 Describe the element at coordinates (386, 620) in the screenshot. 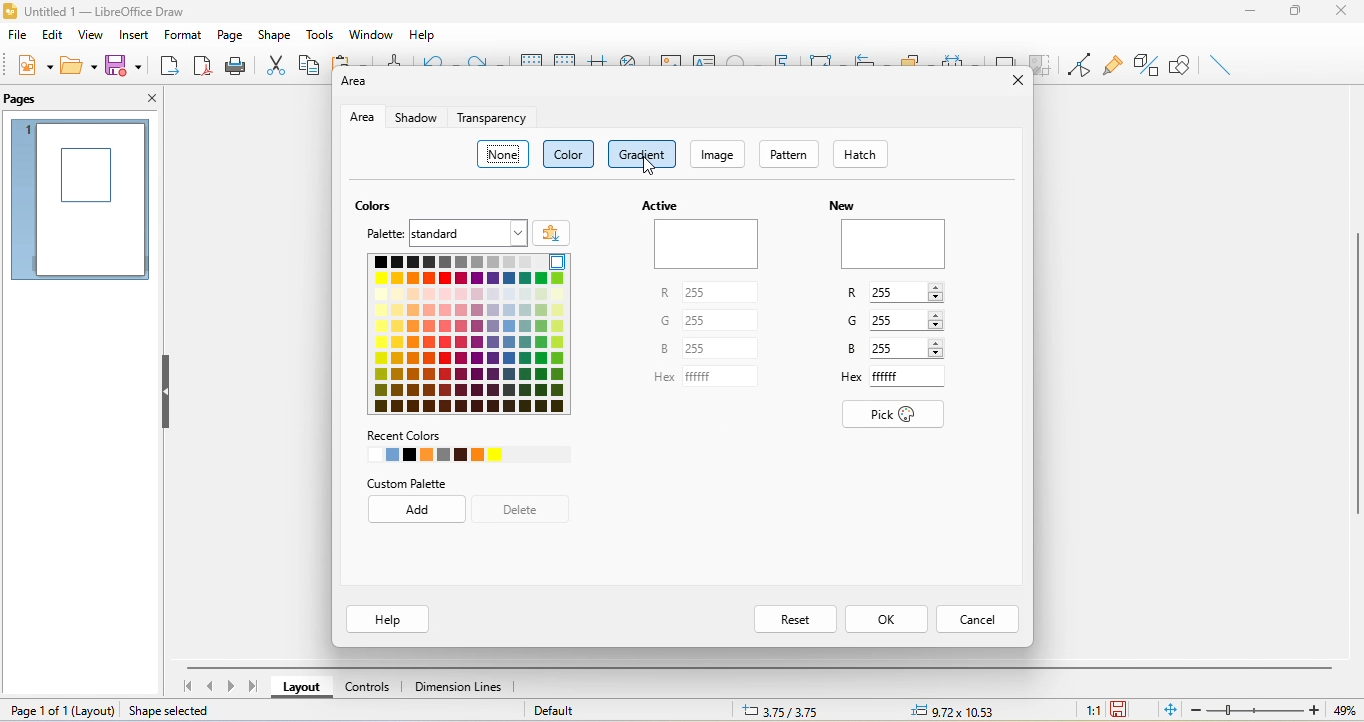

I see `help` at that location.